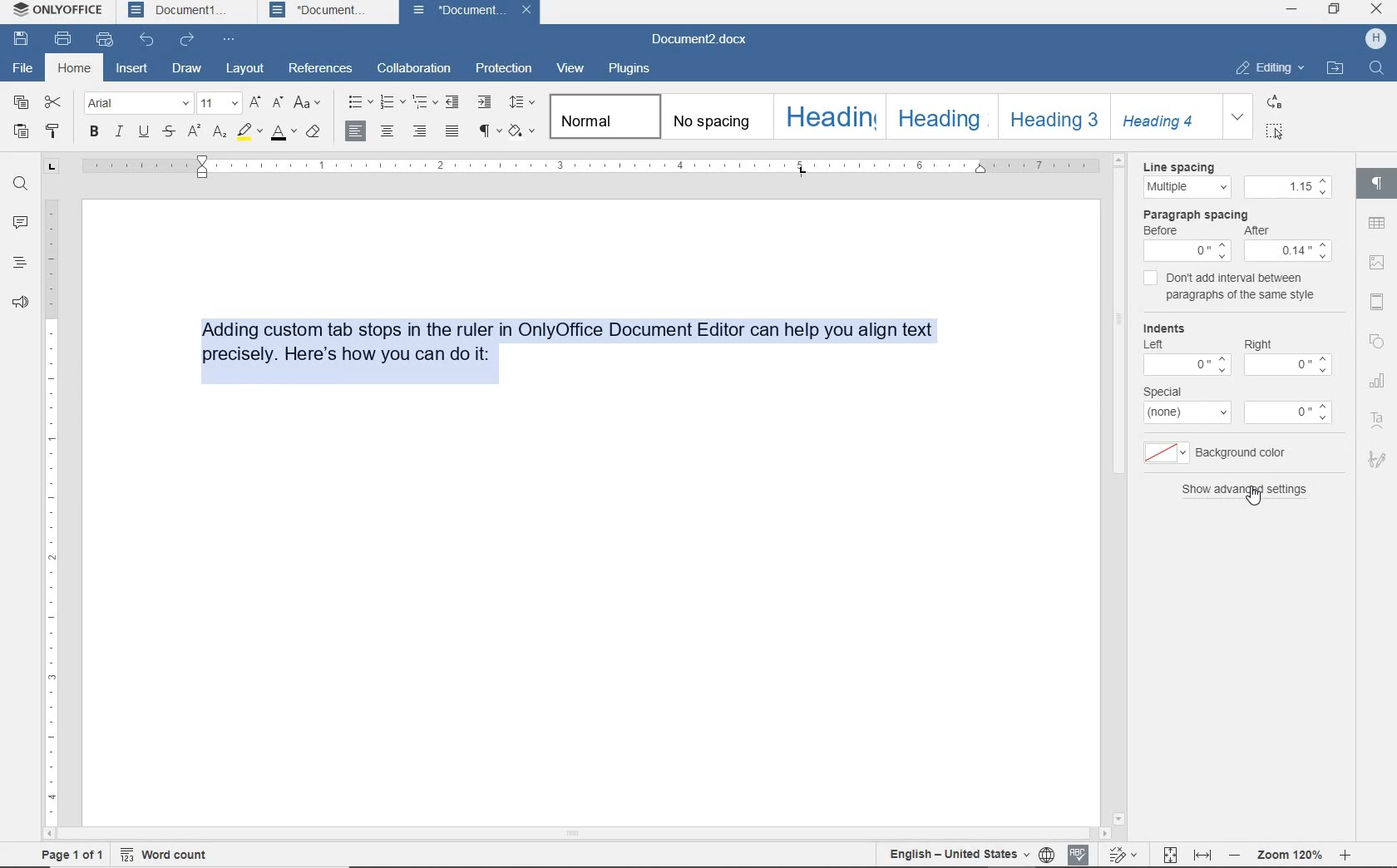 The width and height of the screenshot is (1397, 868). I want to click on replace, so click(1276, 103).